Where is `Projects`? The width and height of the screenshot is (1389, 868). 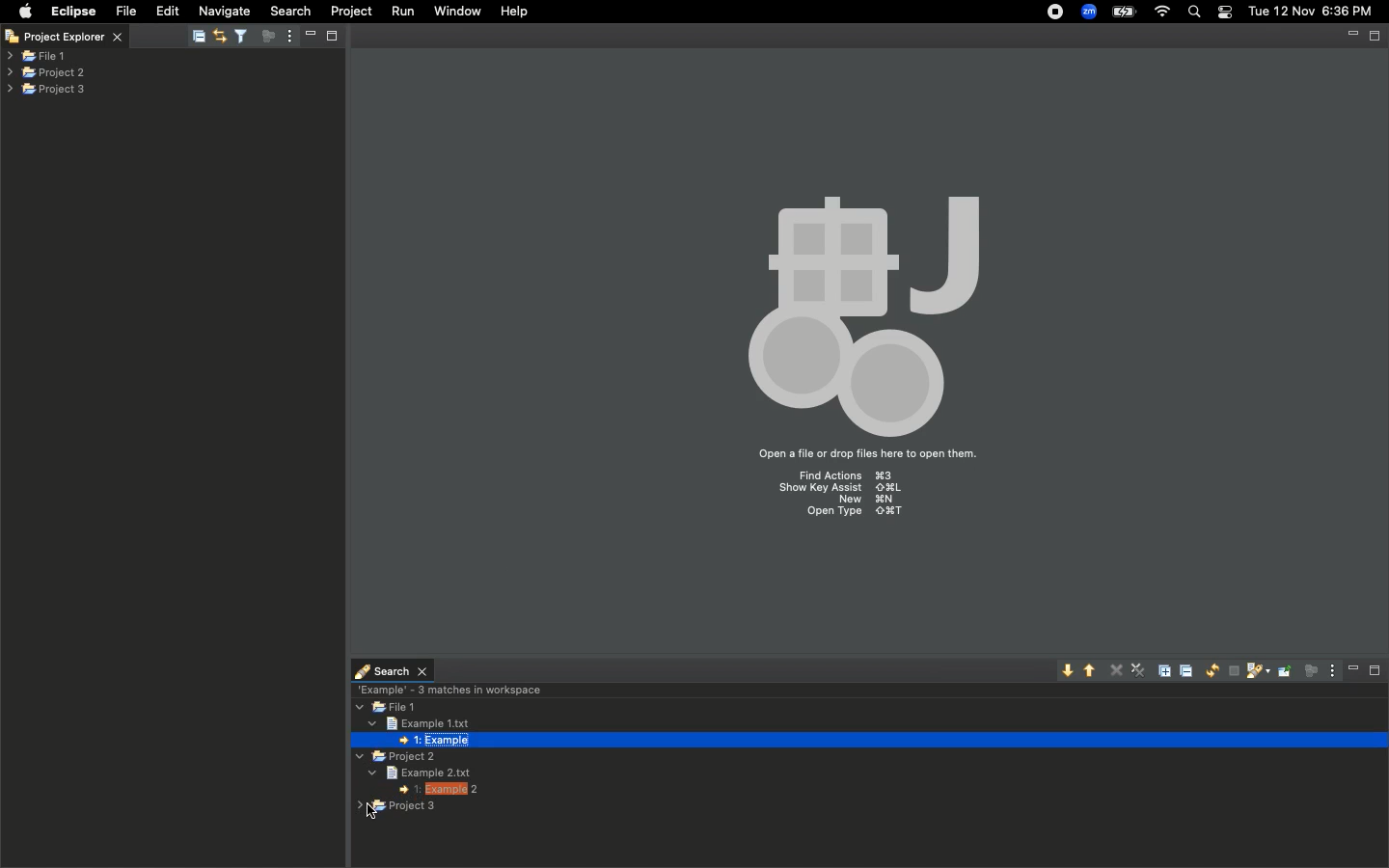
Projects is located at coordinates (47, 70).